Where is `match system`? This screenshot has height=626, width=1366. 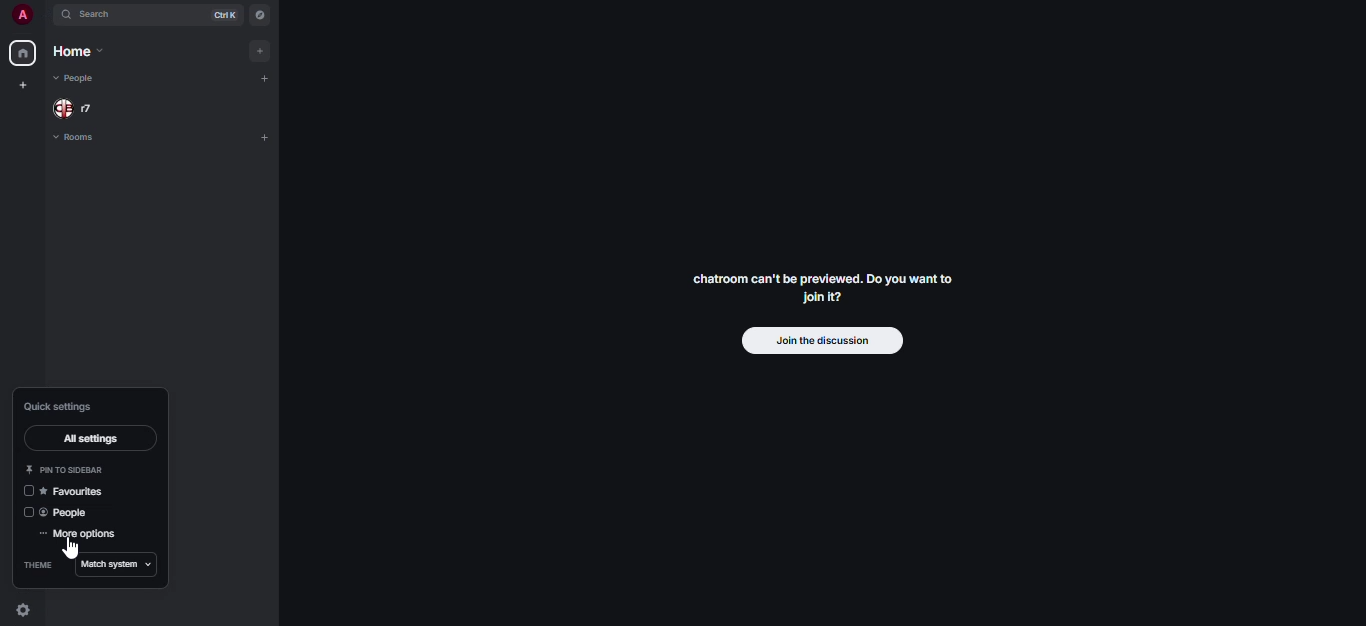 match system is located at coordinates (116, 565).